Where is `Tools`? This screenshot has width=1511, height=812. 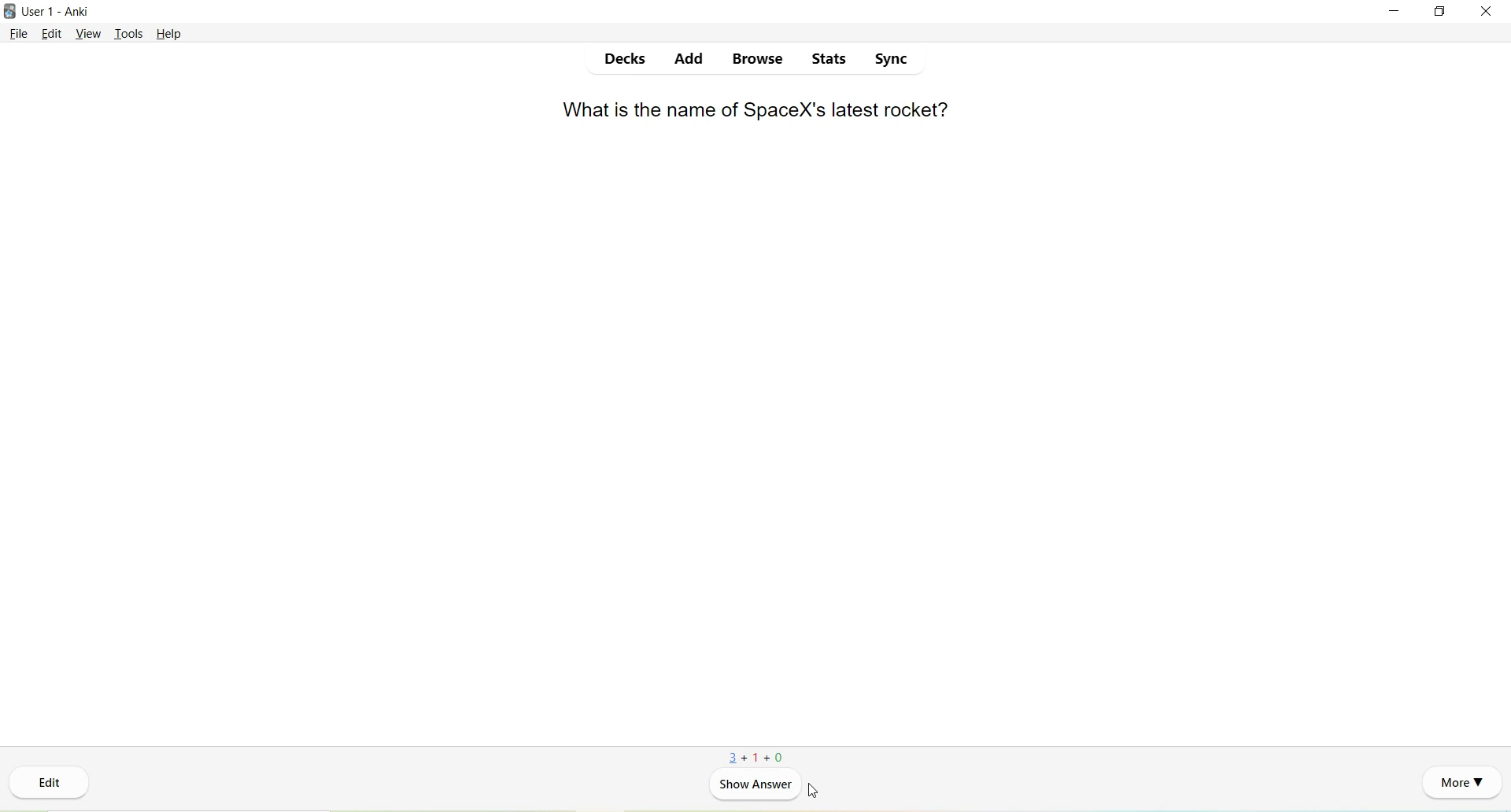 Tools is located at coordinates (128, 35).